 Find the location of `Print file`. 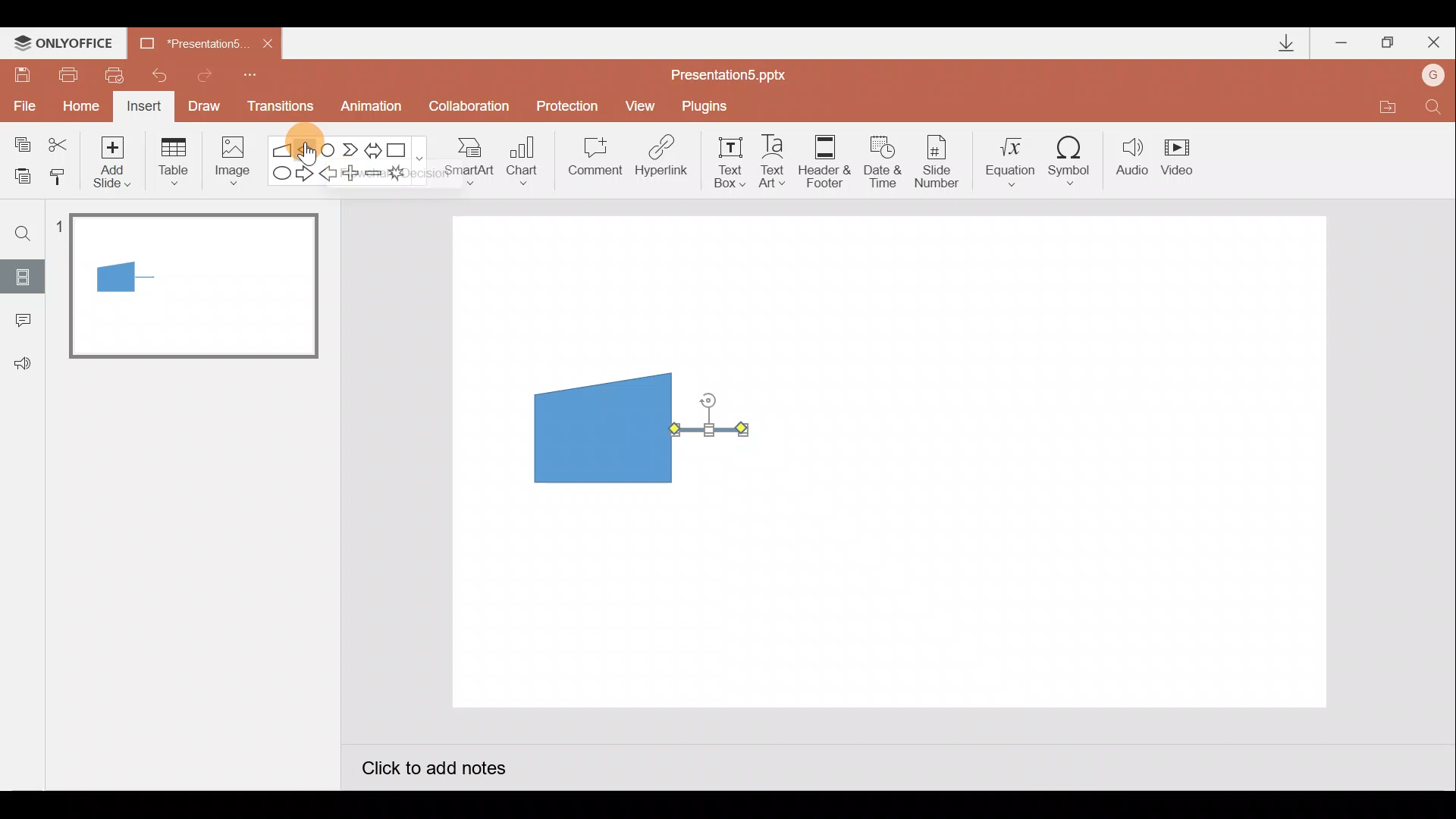

Print file is located at coordinates (65, 74).